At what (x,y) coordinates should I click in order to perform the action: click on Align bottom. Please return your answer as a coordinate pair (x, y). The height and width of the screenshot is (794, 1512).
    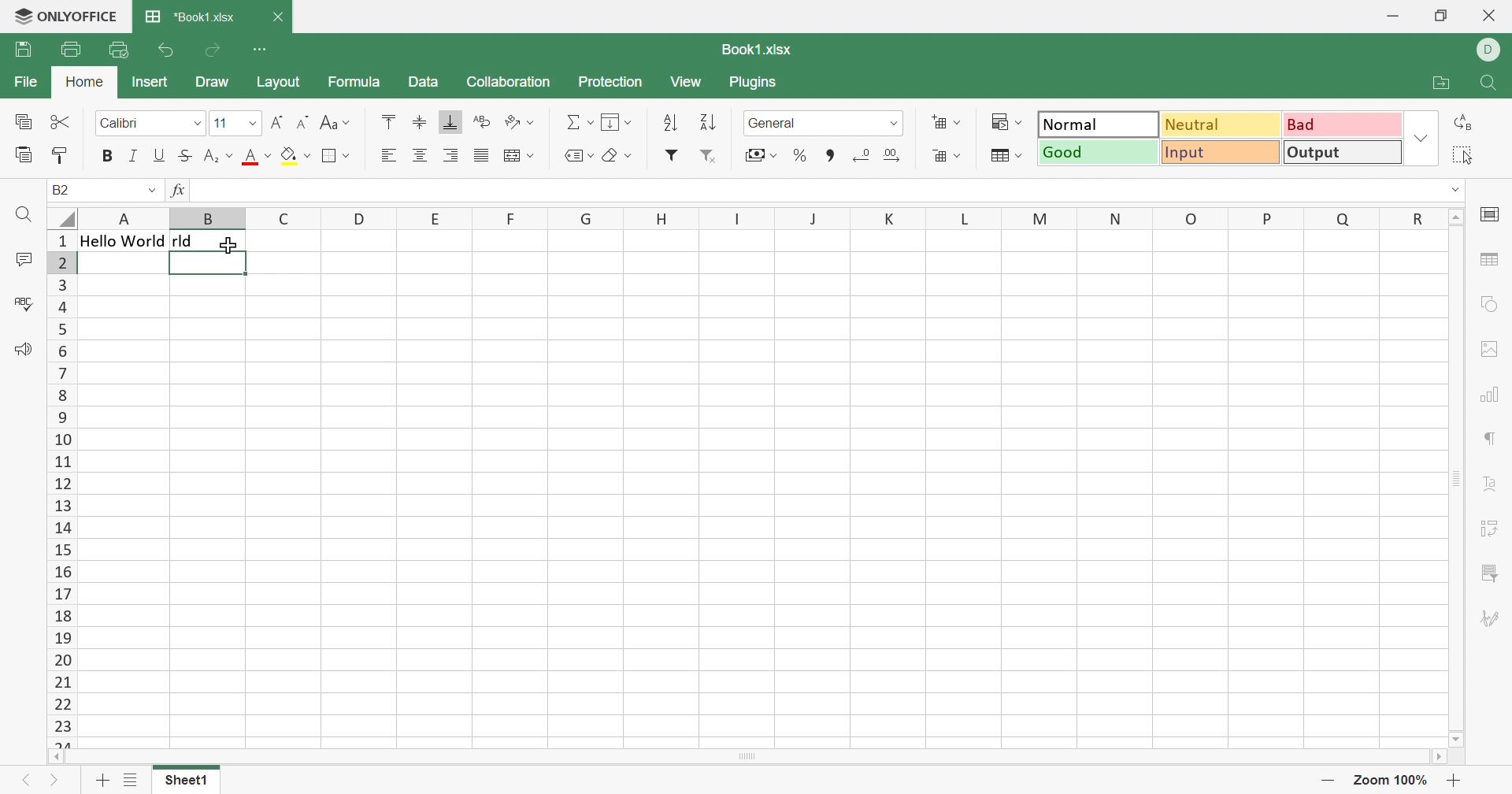
    Looking at the image, I should click on (451, 121).